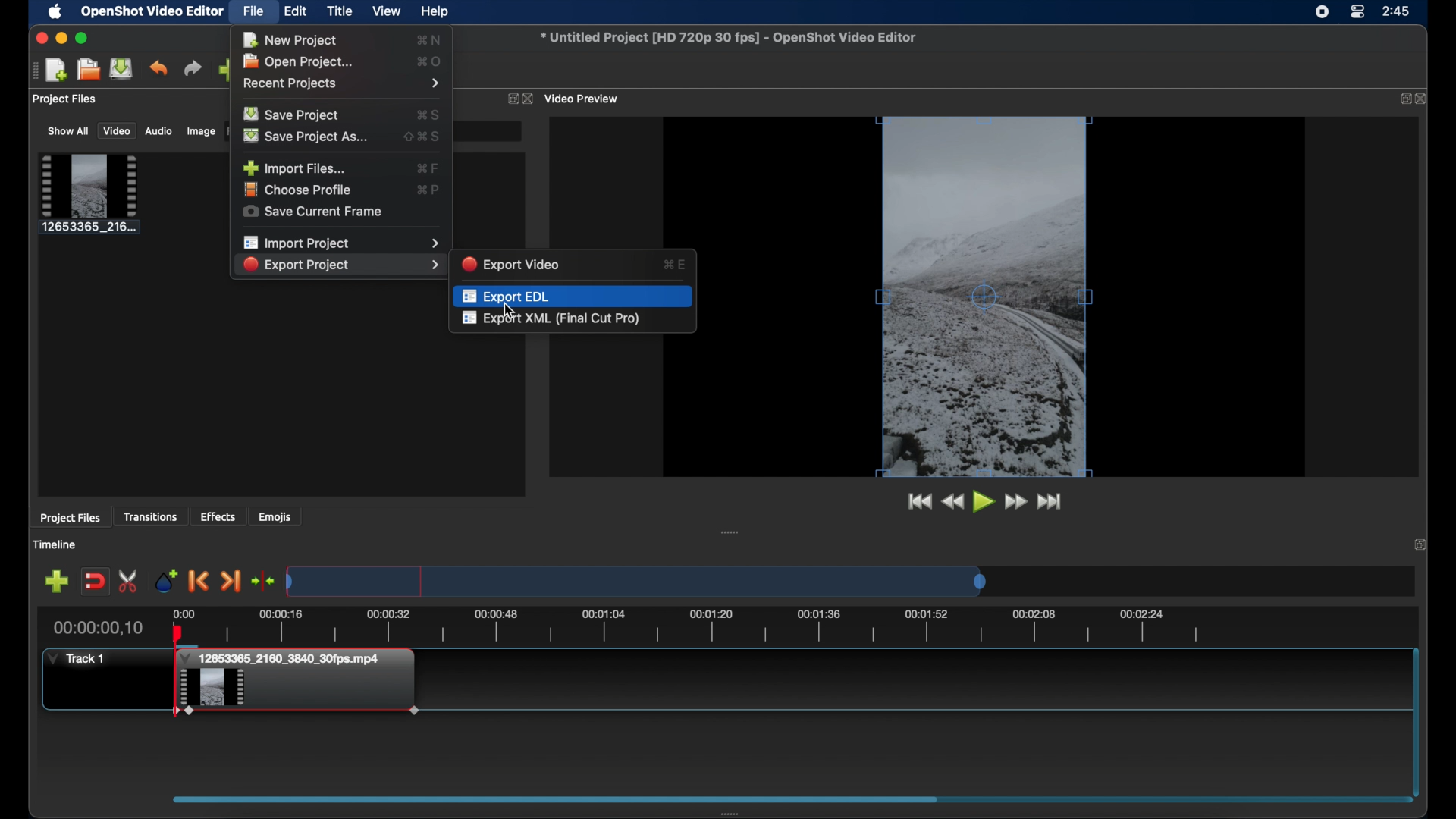  Describe the element at coordinates (430, 61) in the screenshot. I see `open project  shortcut` at that location.